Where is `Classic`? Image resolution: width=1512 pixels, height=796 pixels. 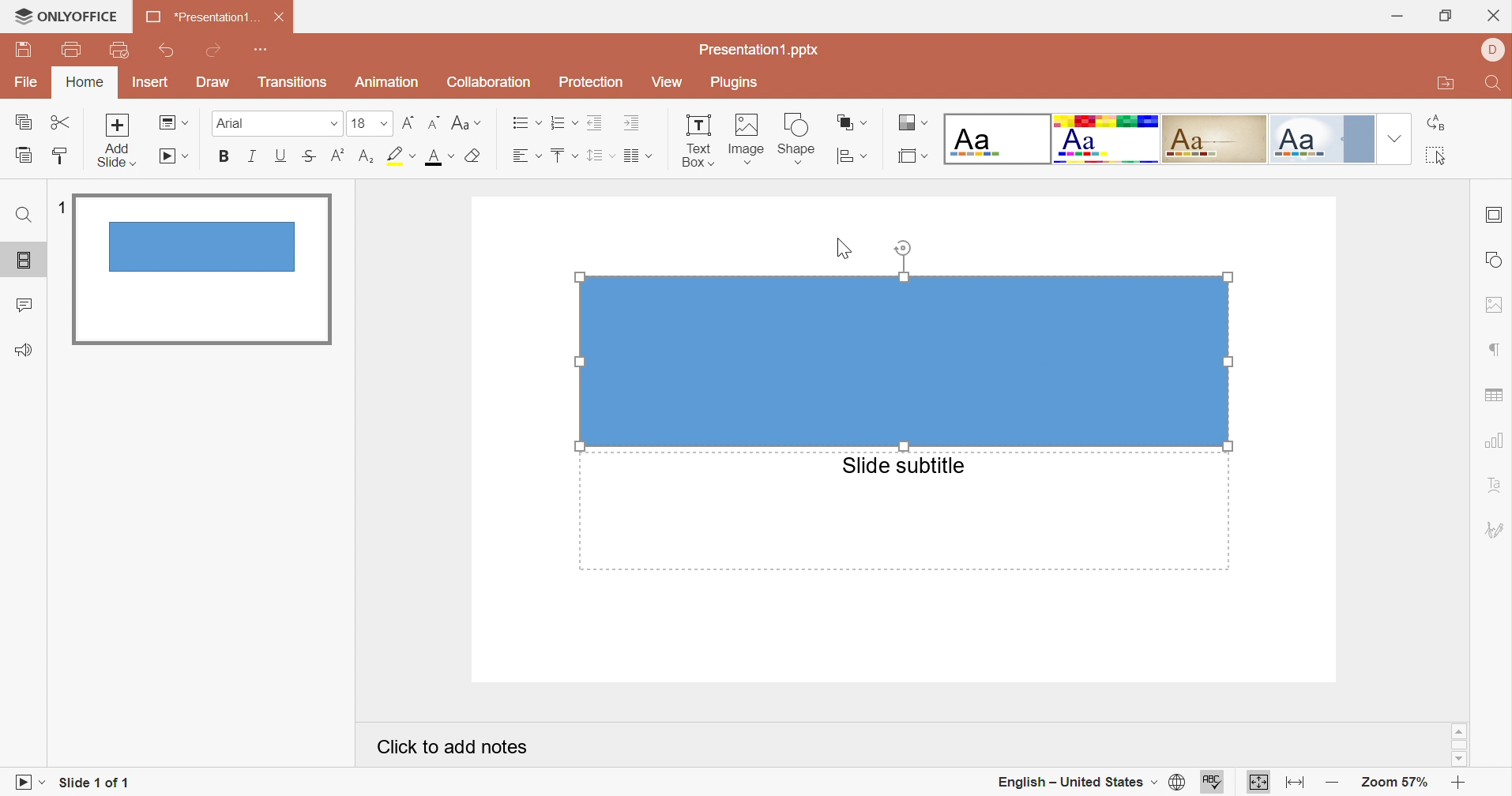 Classic is located at coordinates (1214, 138).